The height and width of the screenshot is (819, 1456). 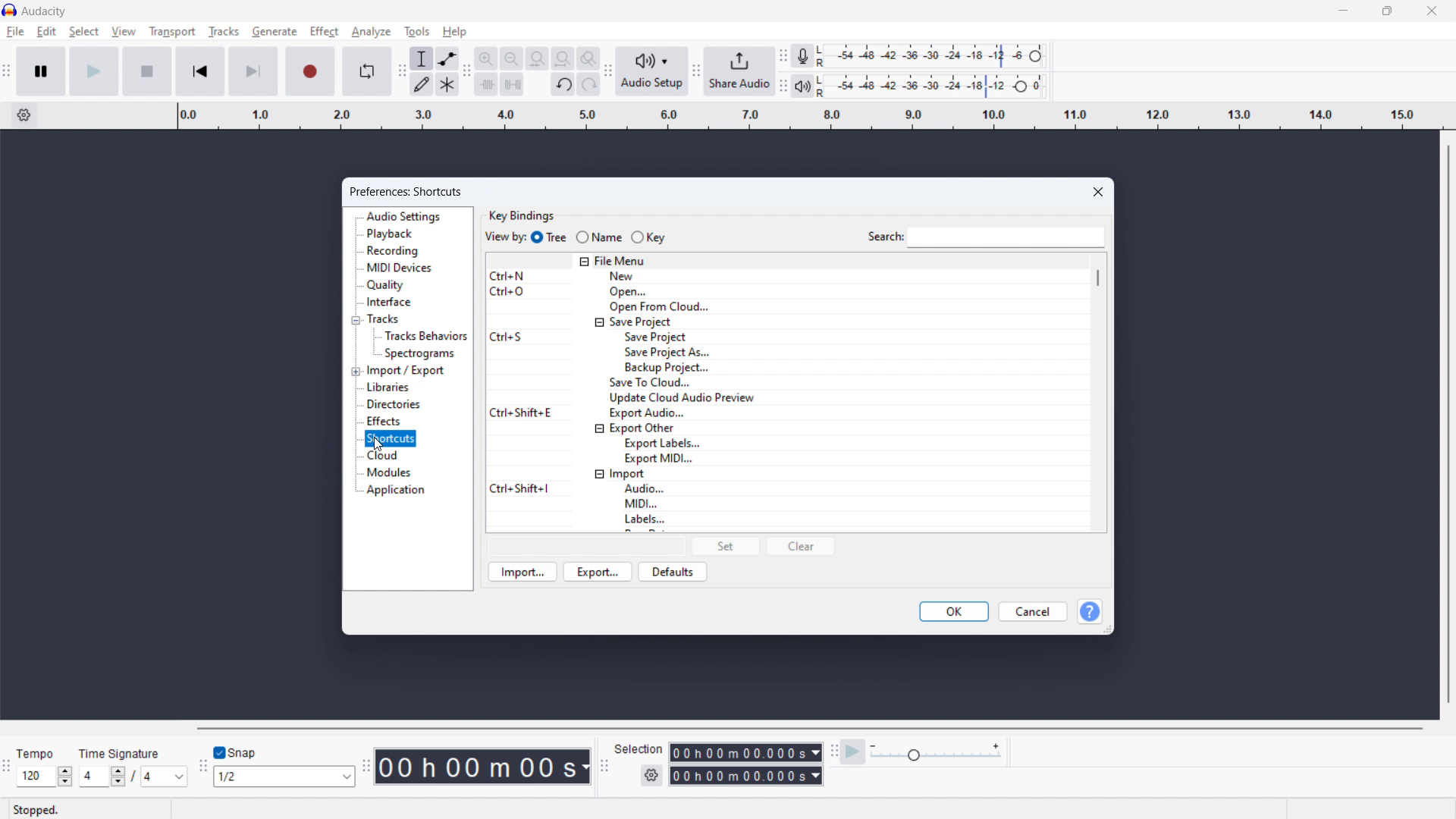 What do you see at coordinates (403, 216) in the screenshot?
I see `audio settings` at bounding box center [403, 216].